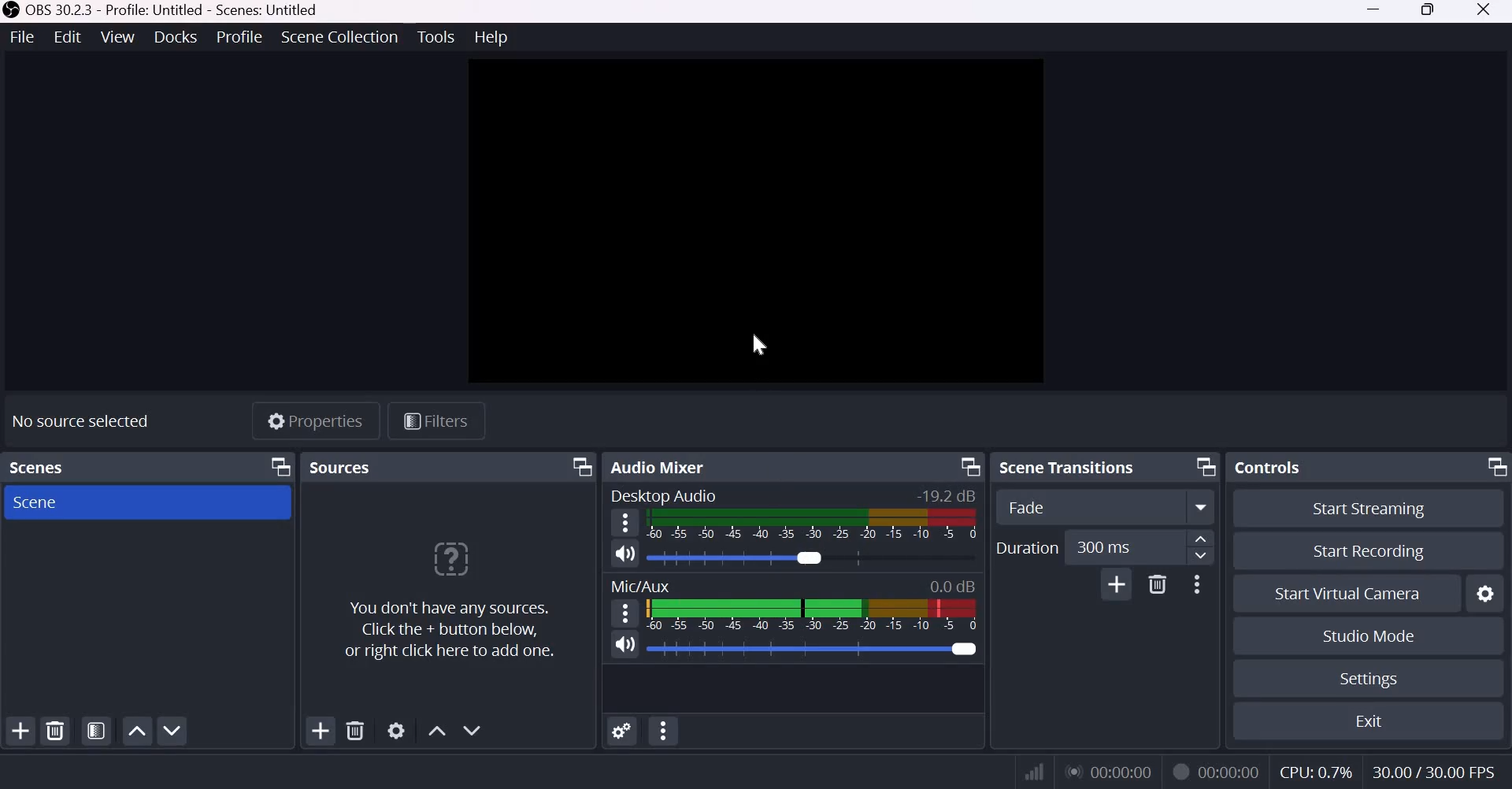 The width and height of the screenshot is (1512, 789). What do you see at coordinates (24, 38) in the screenshot?
I see `File` at bounding box center [24, 38].